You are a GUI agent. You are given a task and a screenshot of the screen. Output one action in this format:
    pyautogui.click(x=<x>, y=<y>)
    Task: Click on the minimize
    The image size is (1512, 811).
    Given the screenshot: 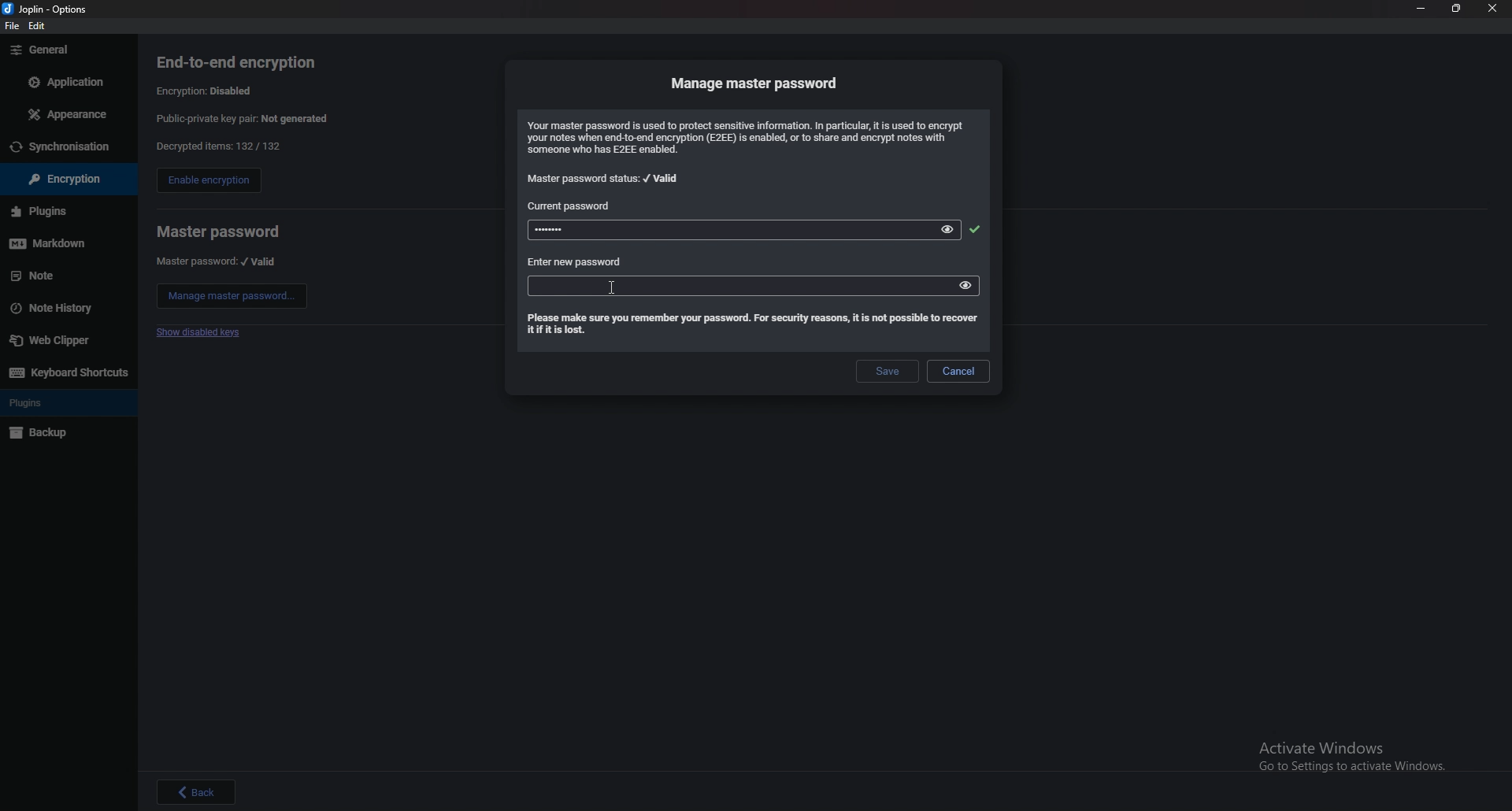 What is the action you would take?
    pyautogui.click(x=1421, y=9)
    